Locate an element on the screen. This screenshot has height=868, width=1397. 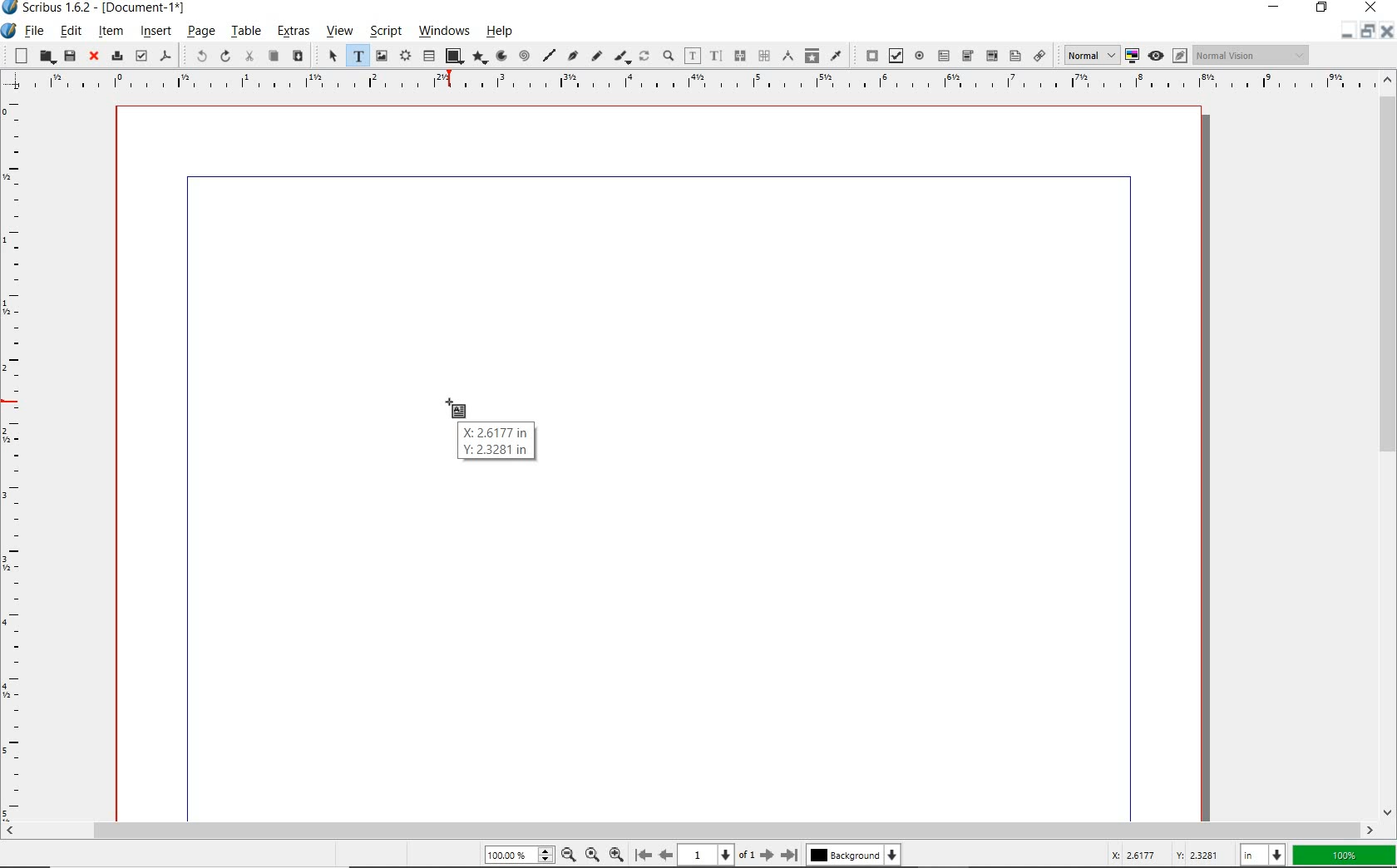
select item is located at coordinates (332, 56).